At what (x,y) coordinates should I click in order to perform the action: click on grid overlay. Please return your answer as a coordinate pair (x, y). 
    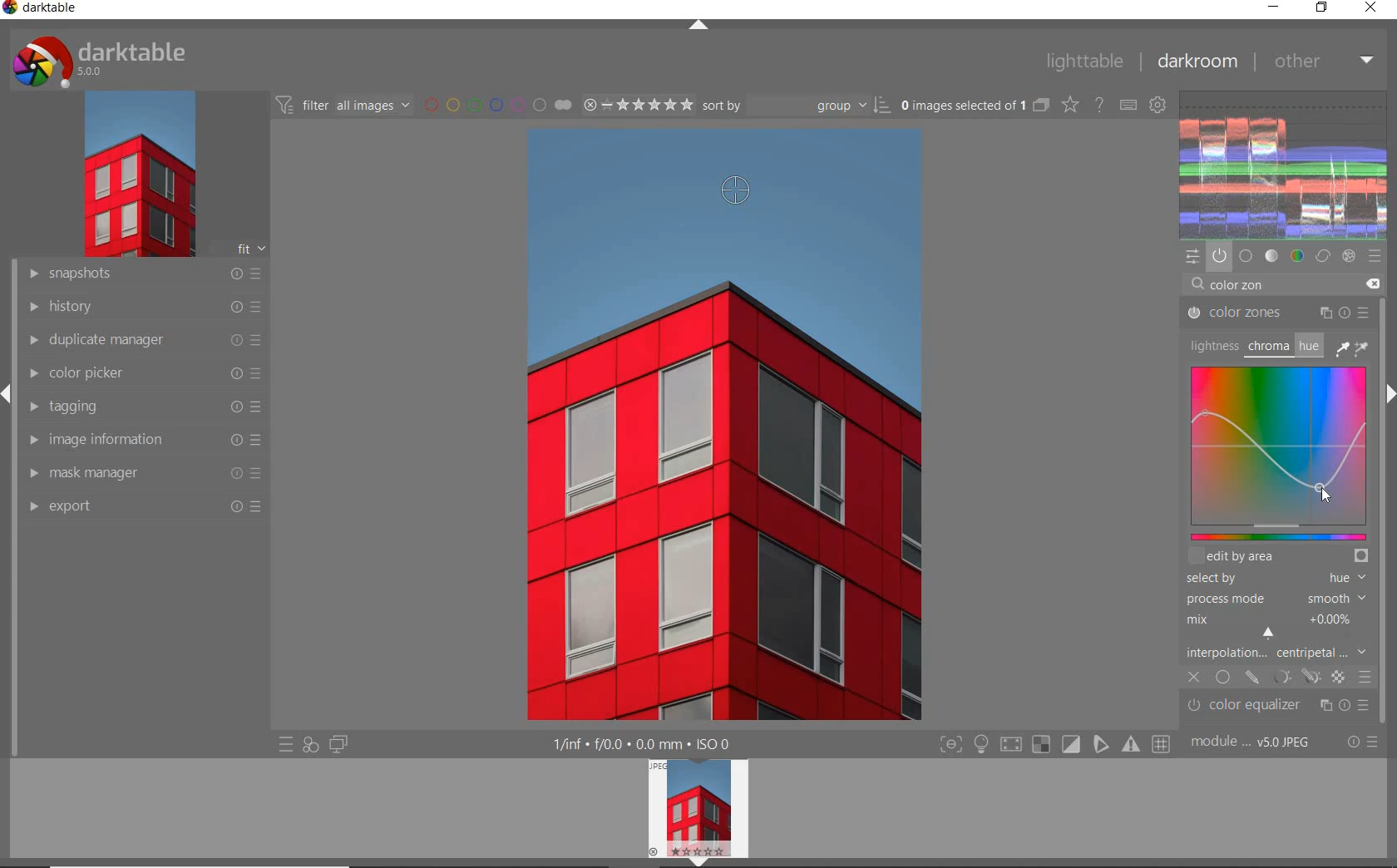
    Looking at the image, I should click on (1162, 742).